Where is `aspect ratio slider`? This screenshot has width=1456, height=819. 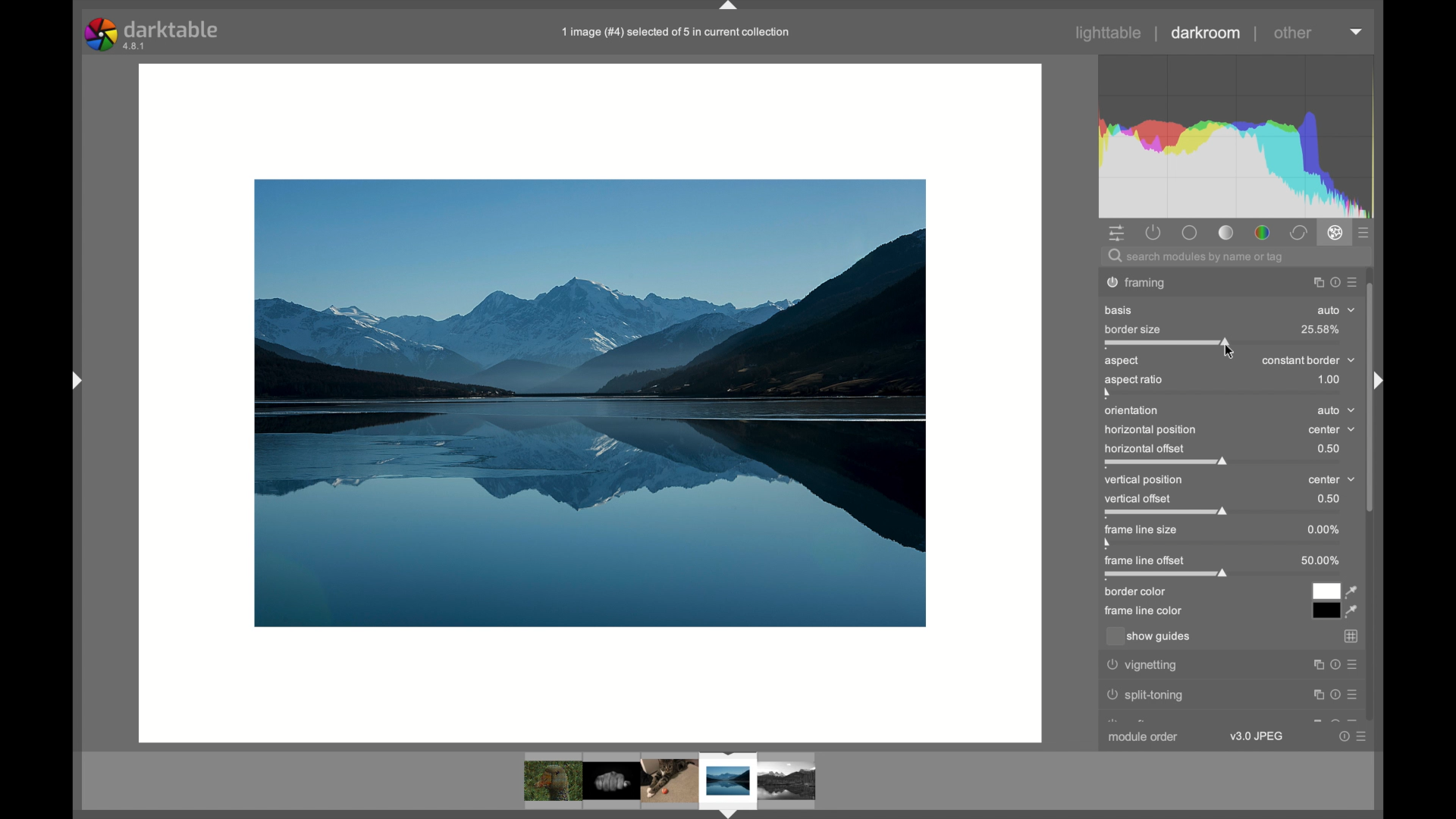
aspect ratio slider is located at coordinates (1134, 388).